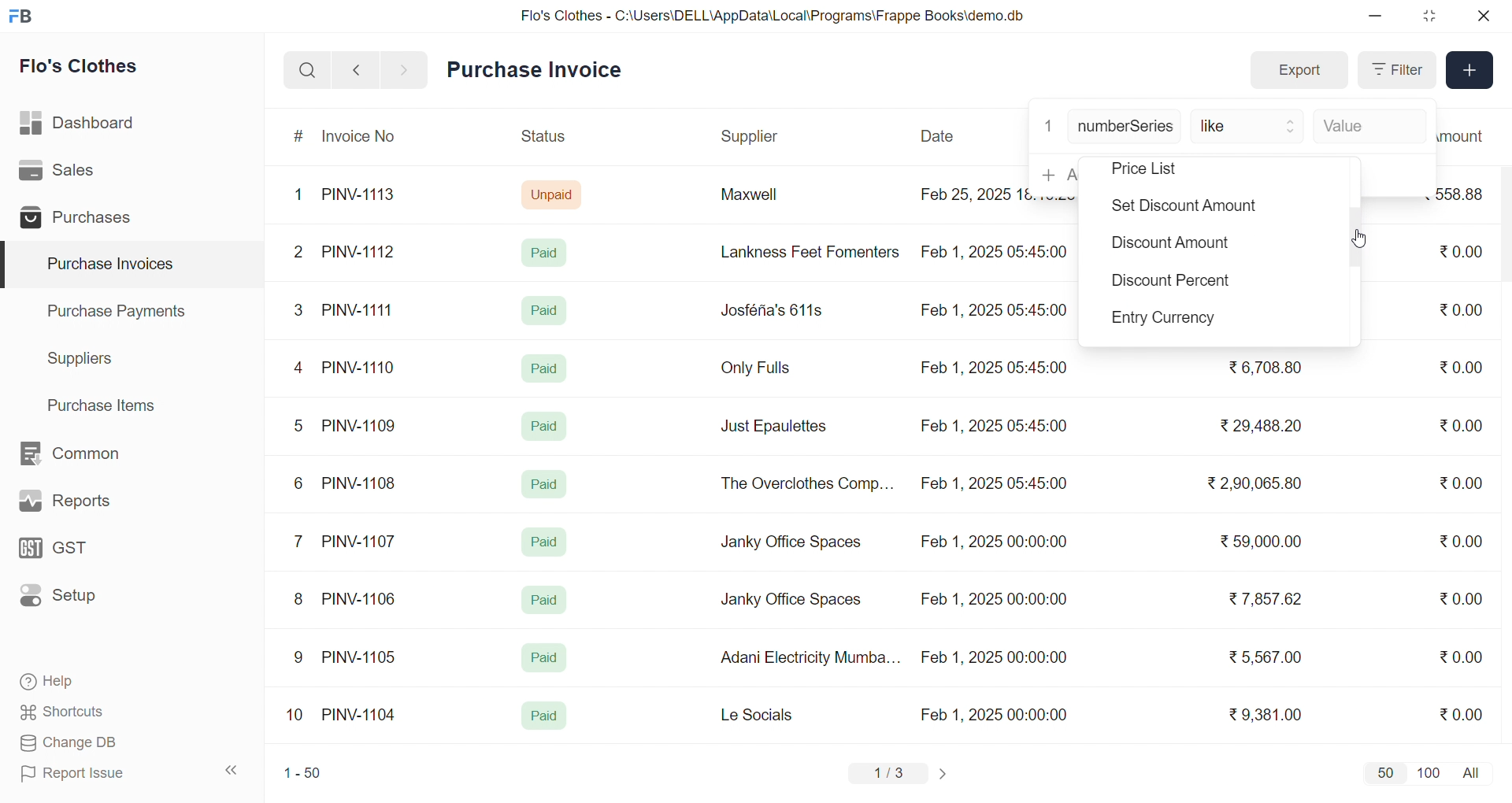 This screenshot has height=803, width=1512. What do you see at coordinates (358, 253) in the screenshot?
I see `PINV-1112` at bounding box center [358, 253].